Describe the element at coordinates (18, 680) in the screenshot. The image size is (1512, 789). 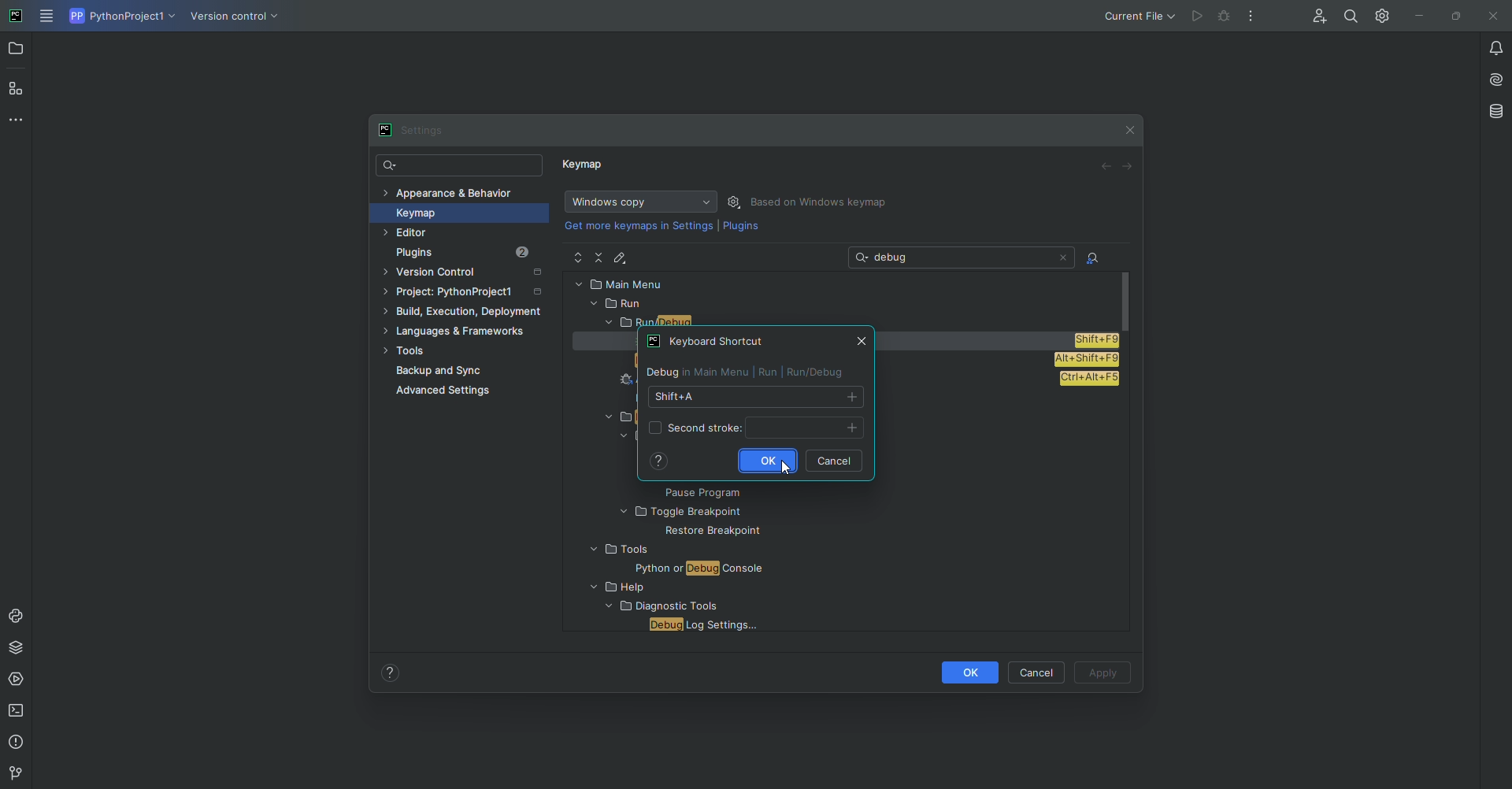
I see `Services` at that location.